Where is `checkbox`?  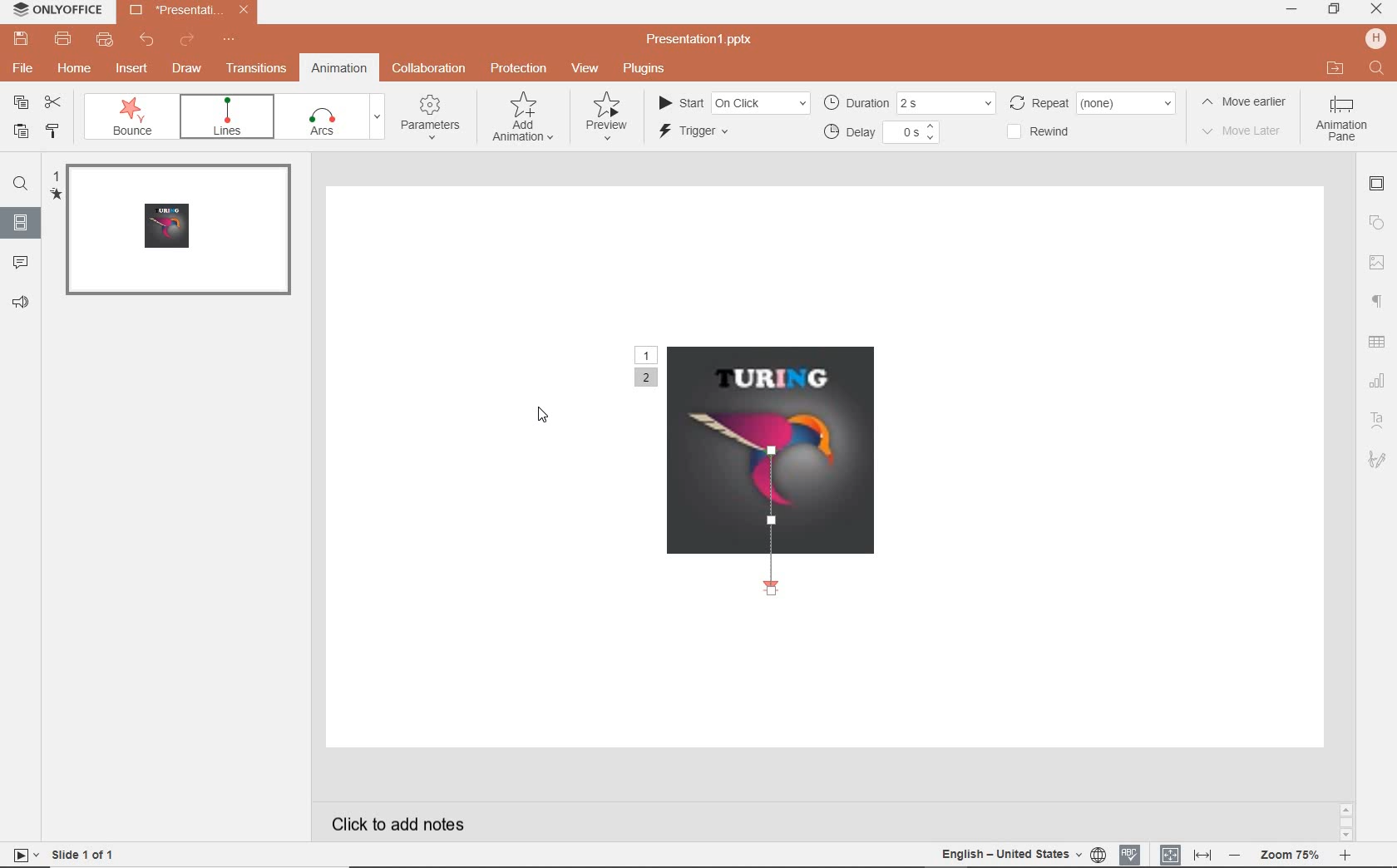
checkbox is located at coordinates (1012, 131).